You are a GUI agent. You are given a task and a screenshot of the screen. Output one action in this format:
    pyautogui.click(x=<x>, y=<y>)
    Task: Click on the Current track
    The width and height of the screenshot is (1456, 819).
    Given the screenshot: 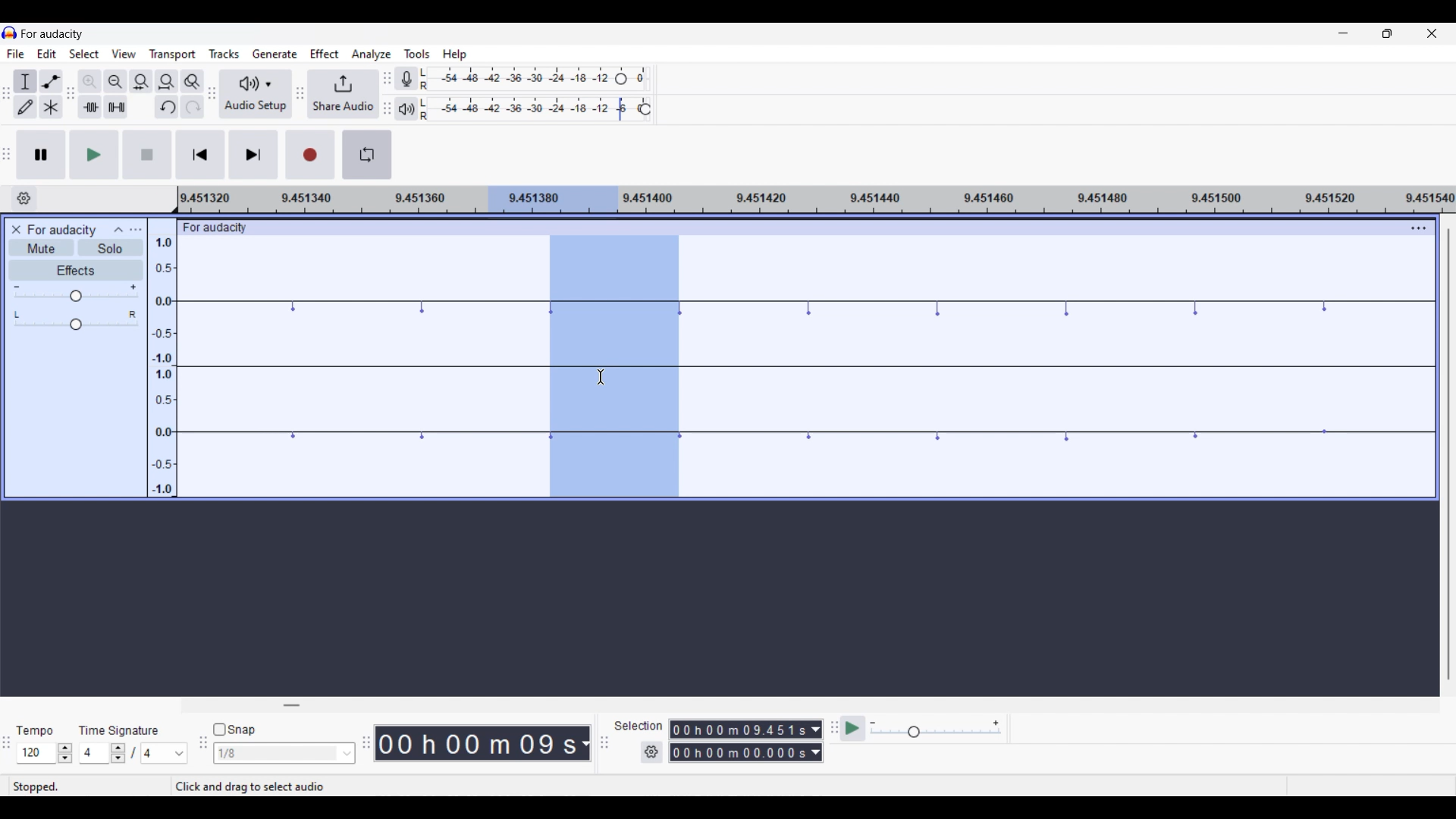 What is the action you would take?
    pyautogui.click(x=361, y=366)
    